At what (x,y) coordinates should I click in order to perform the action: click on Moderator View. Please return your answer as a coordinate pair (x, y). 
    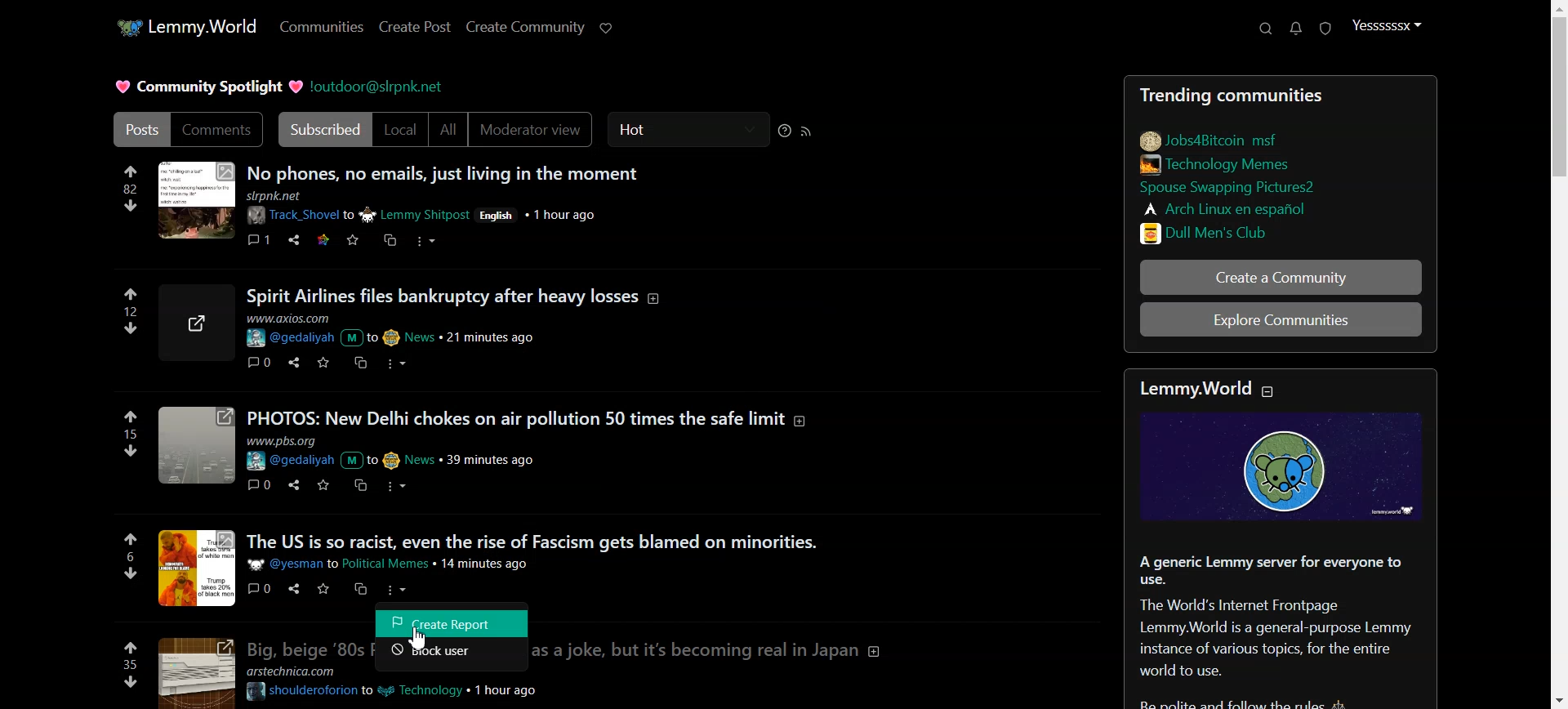
    Looking at the image, I should click on (534, 130).